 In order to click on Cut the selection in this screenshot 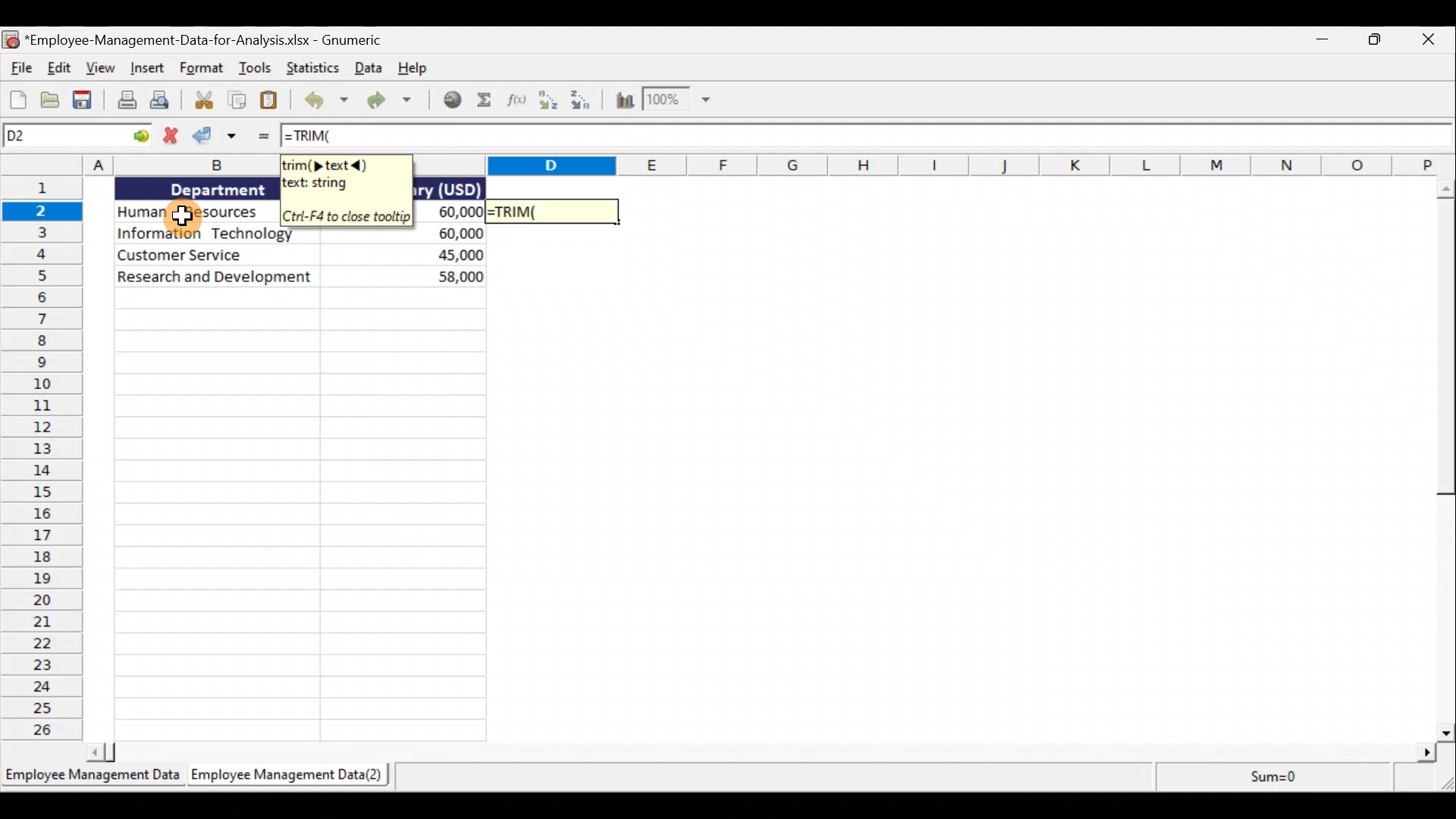, I will do `click(202, 100)`.